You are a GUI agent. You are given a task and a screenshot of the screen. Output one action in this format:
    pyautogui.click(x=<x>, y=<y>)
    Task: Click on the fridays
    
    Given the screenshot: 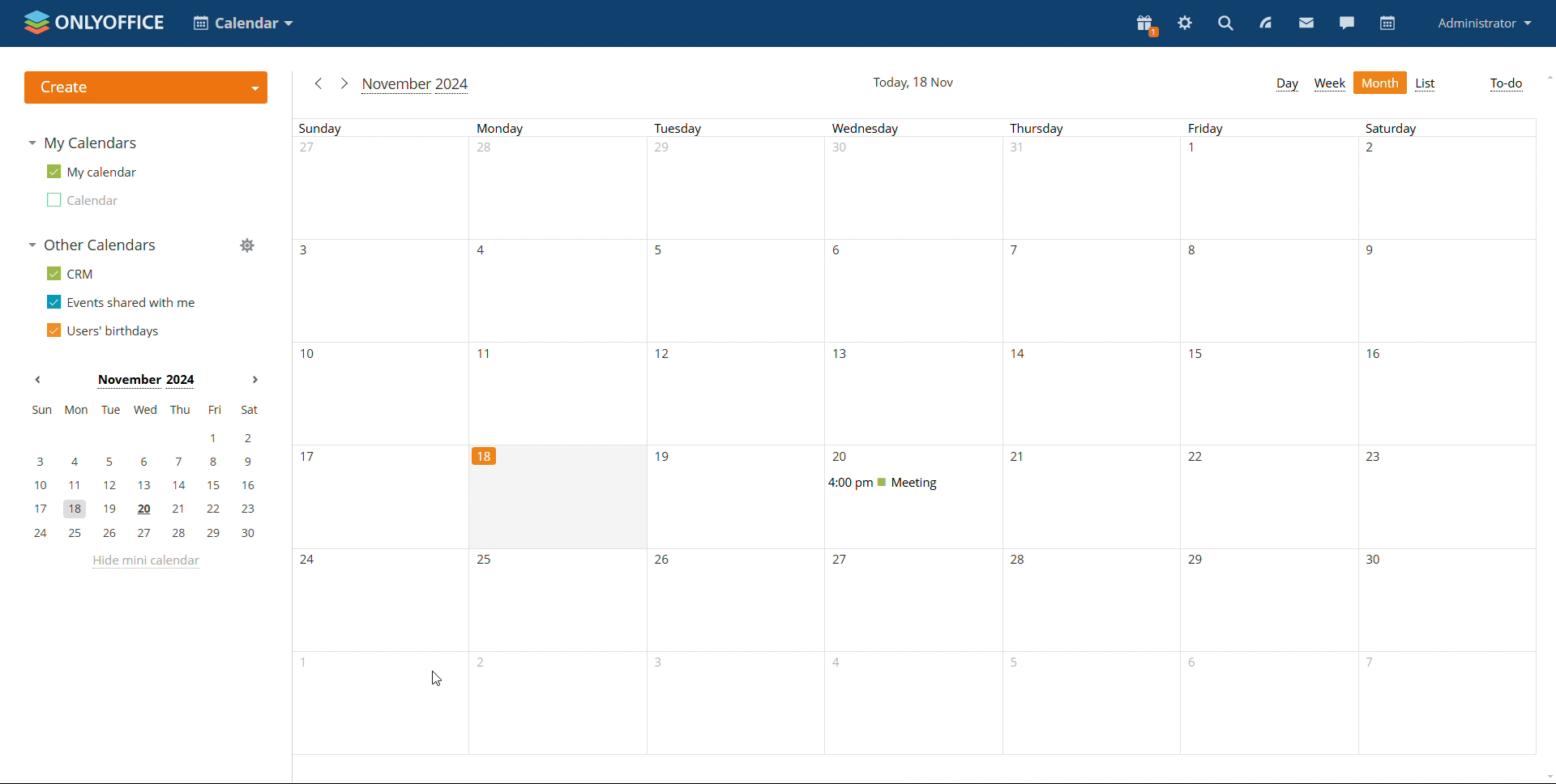 What is the action you would take?
    pyautogui.click(x=1270, y=437)
    